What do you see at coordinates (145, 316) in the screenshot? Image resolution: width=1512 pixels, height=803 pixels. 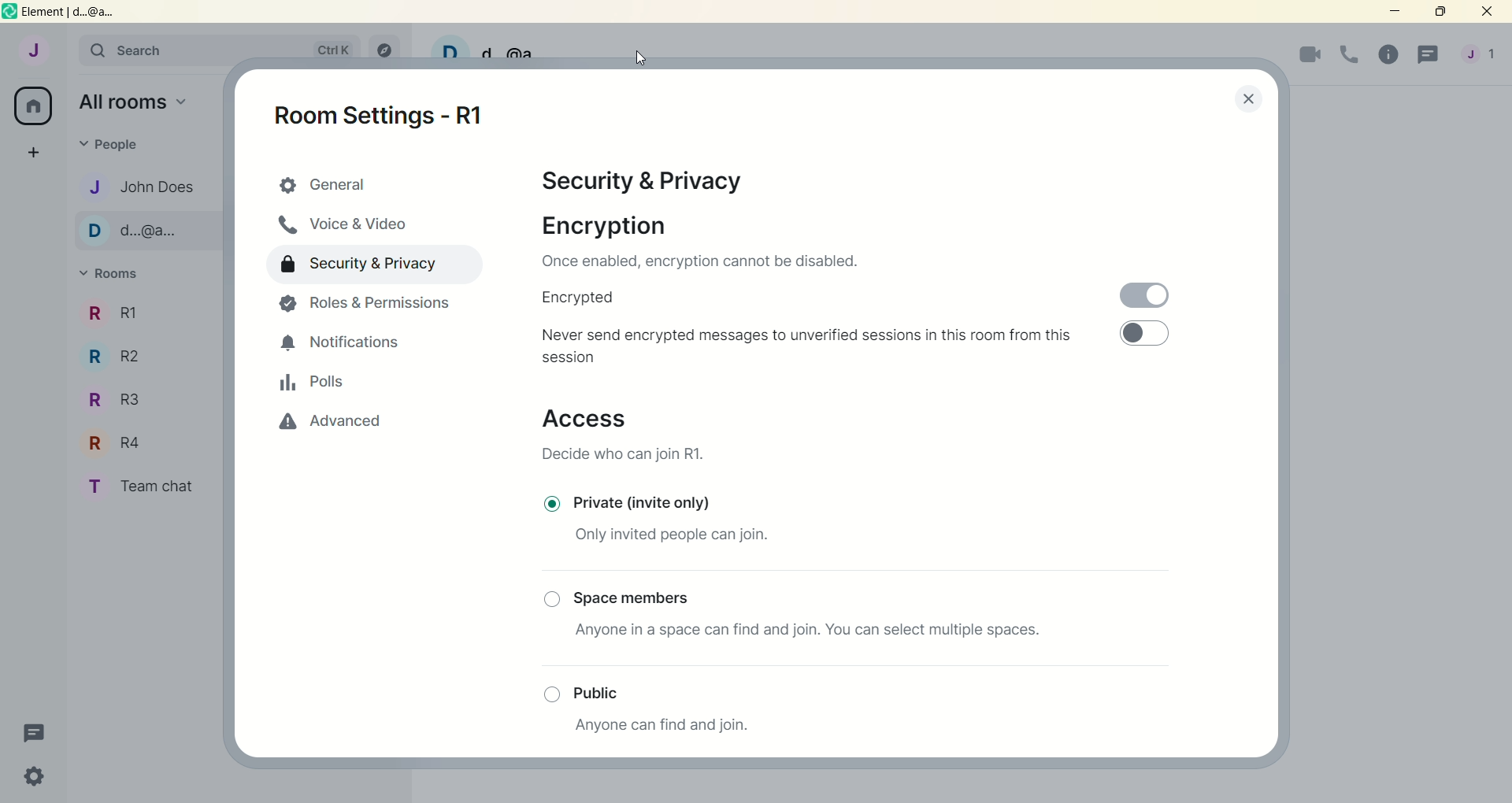 I see `R R1` at bounding box center [145, 316].